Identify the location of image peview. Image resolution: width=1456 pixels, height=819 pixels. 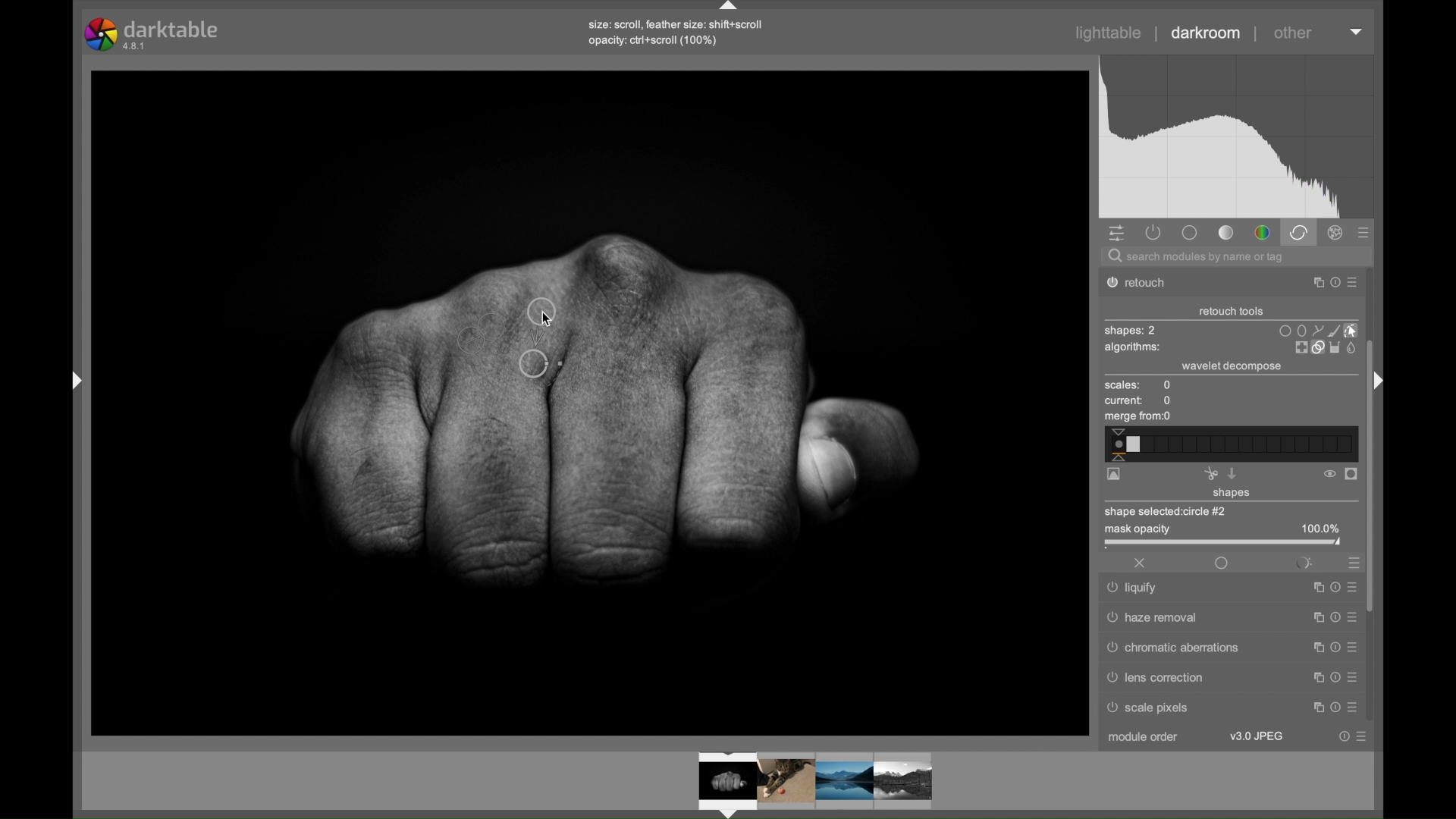
(800, 783).